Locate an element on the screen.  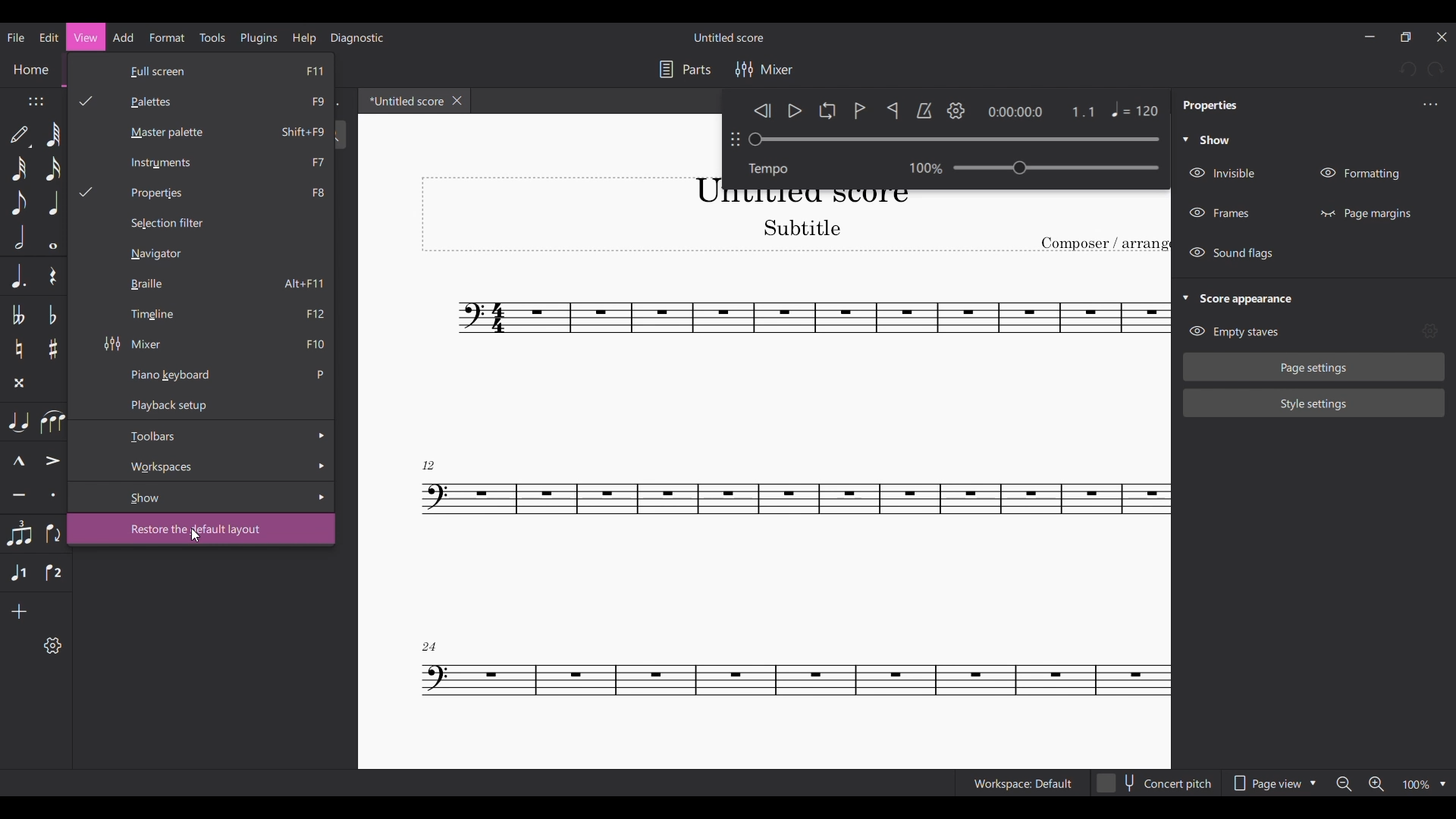
Move position of toolbar is located at coordinates (36, 101).